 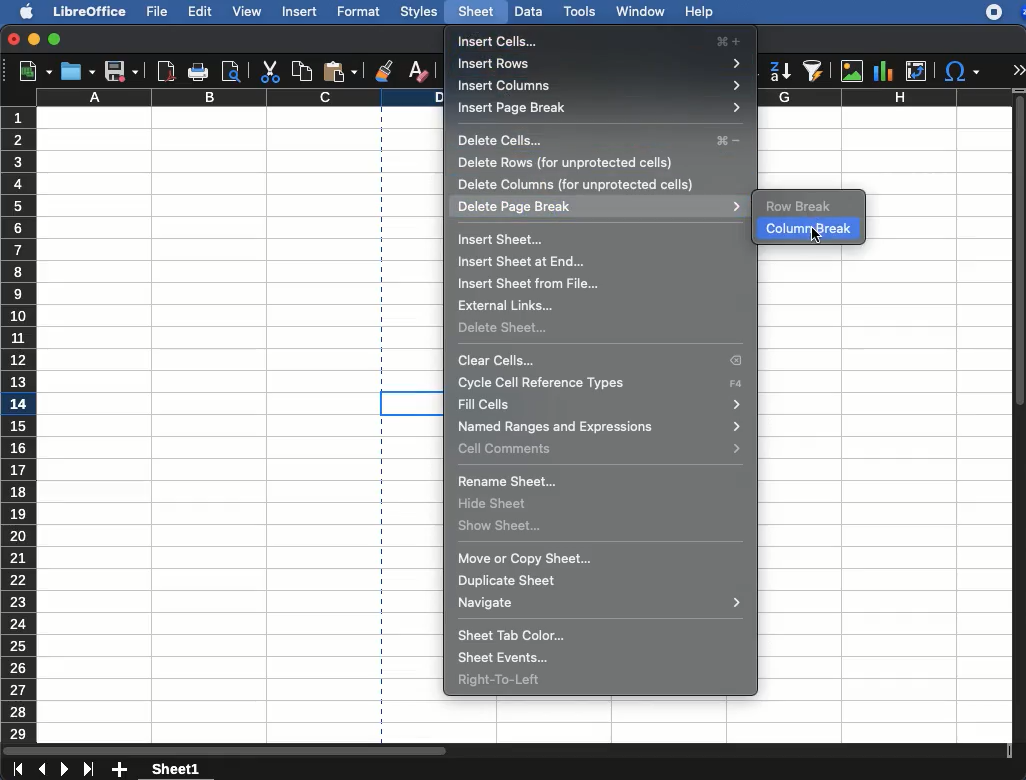 I want to click on delete rows (for unprotected cells), so click(x=566, y=163).